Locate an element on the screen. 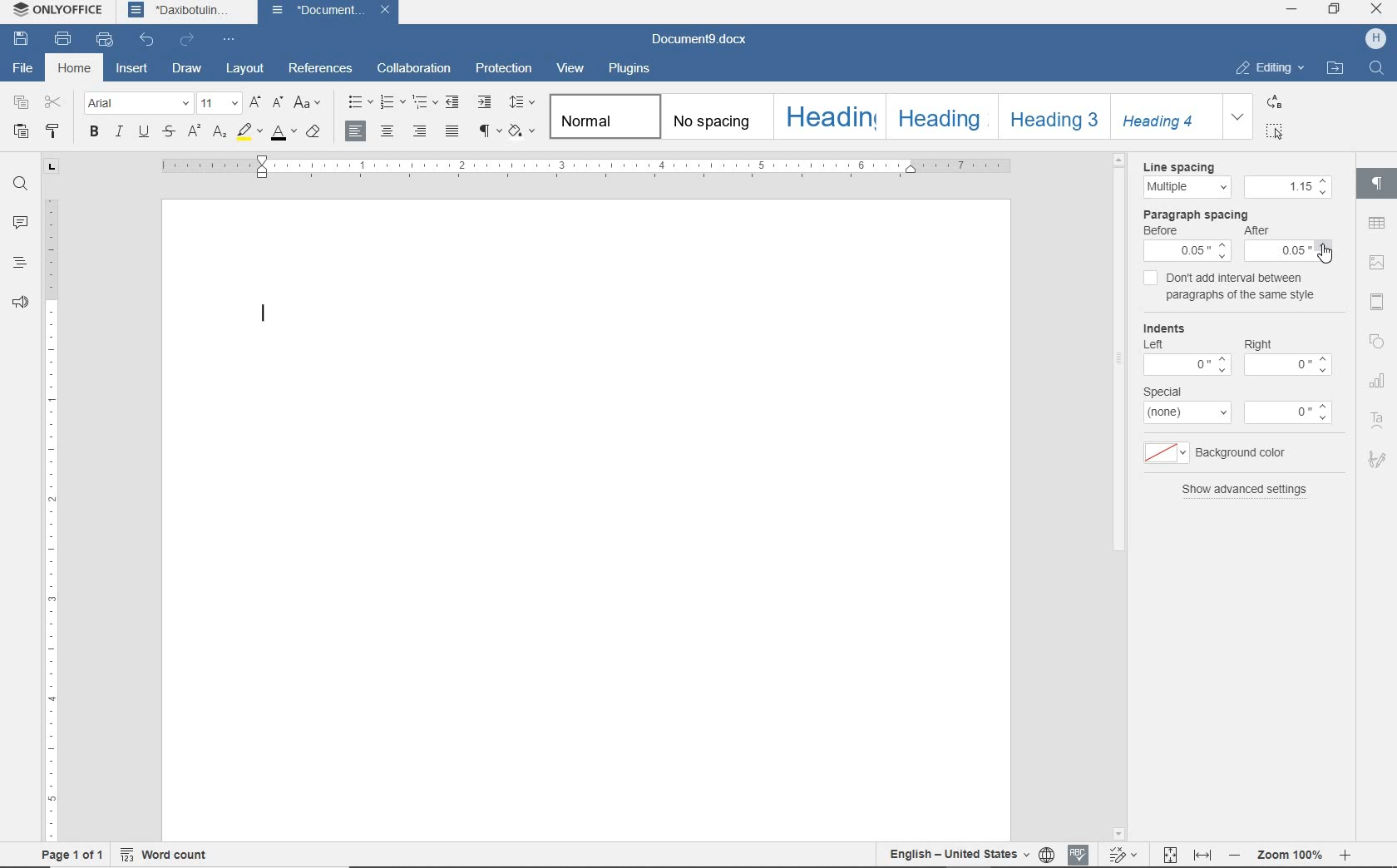 This screenshot has height=868, width=1397. show advanced settings is located at coordinates (1246, 490).